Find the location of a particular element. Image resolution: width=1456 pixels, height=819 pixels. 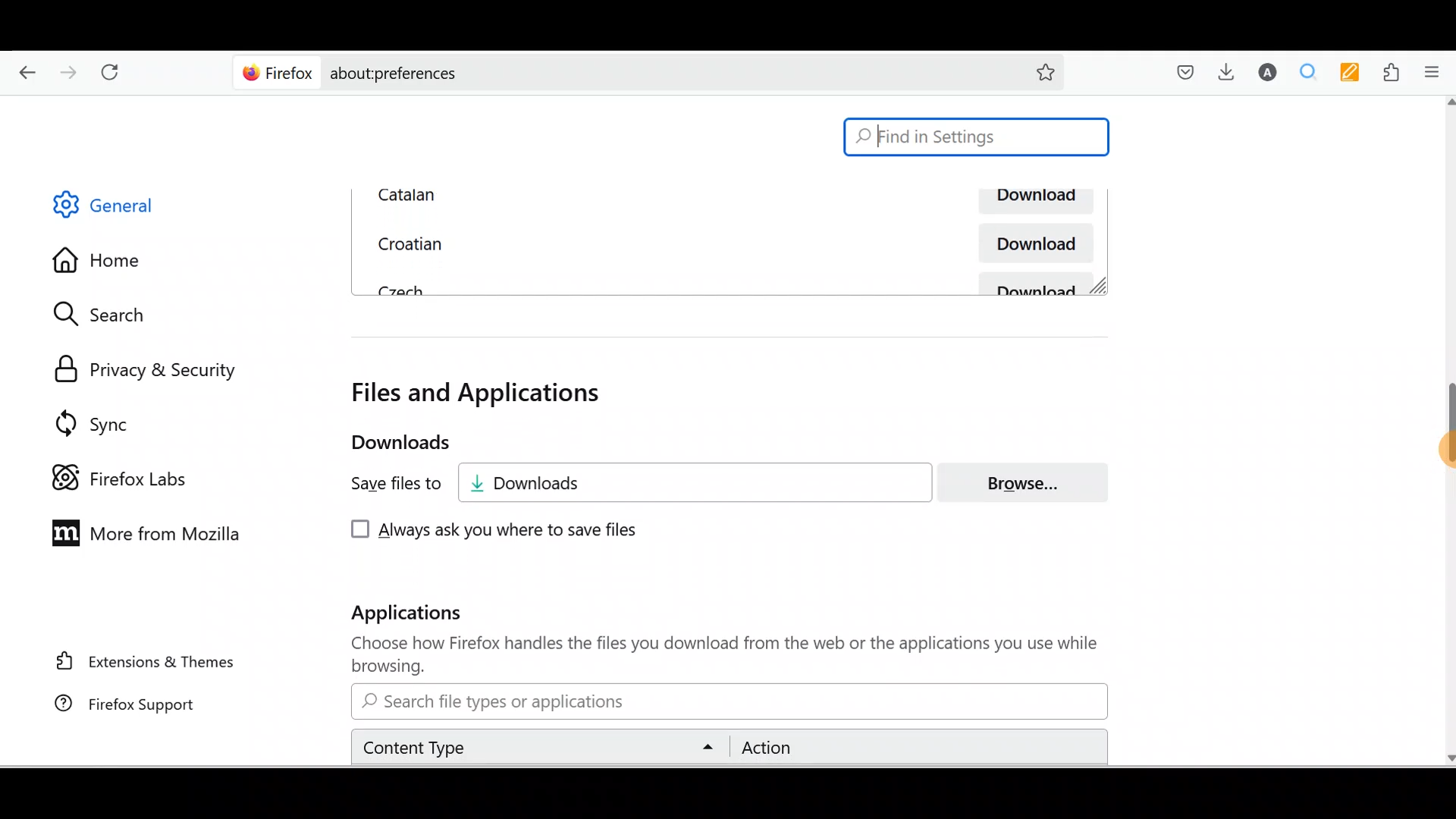

Croatian is located at coordinates (406, 241).